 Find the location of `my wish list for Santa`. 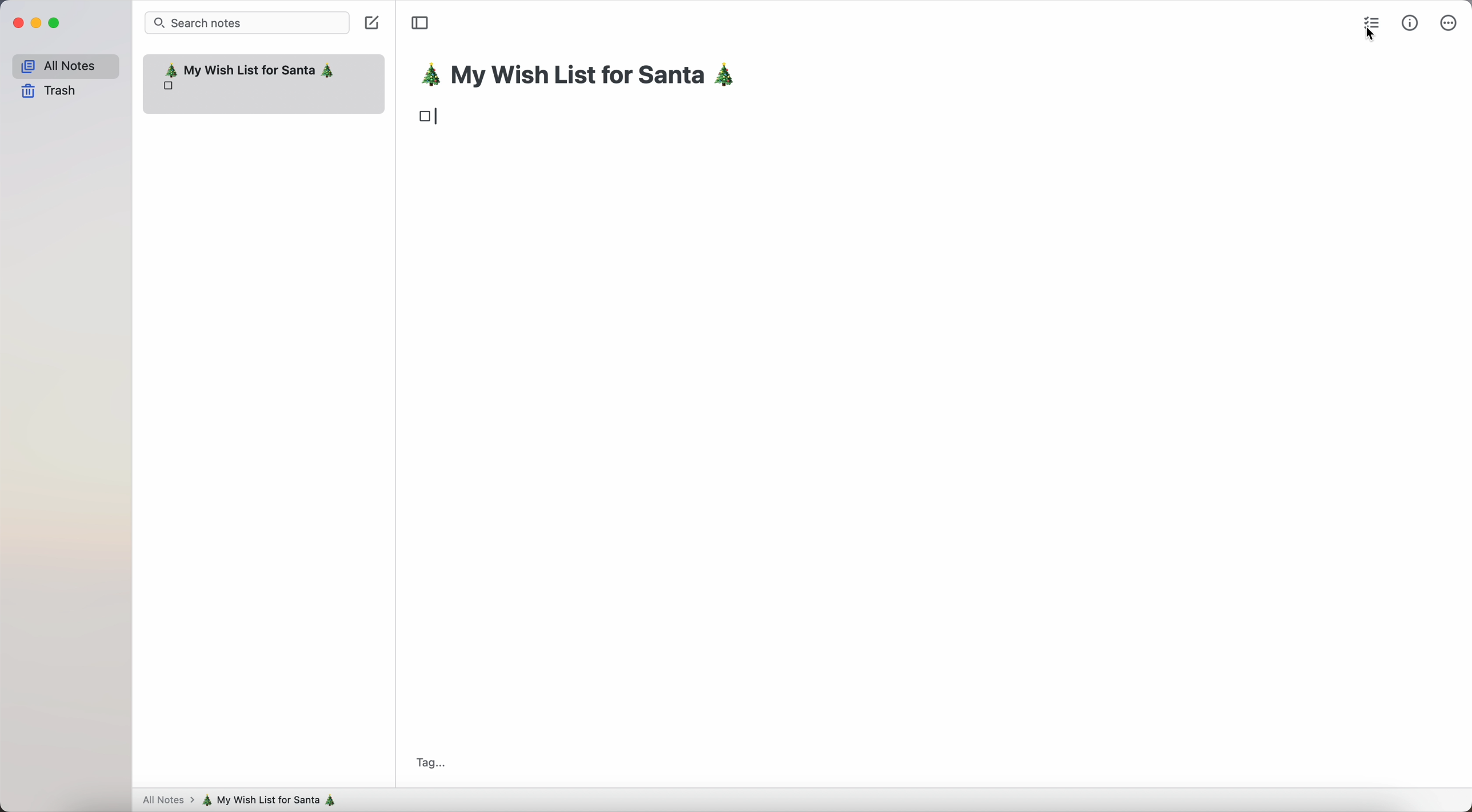

my wish list for Santa is located at coordinates (274, 800).